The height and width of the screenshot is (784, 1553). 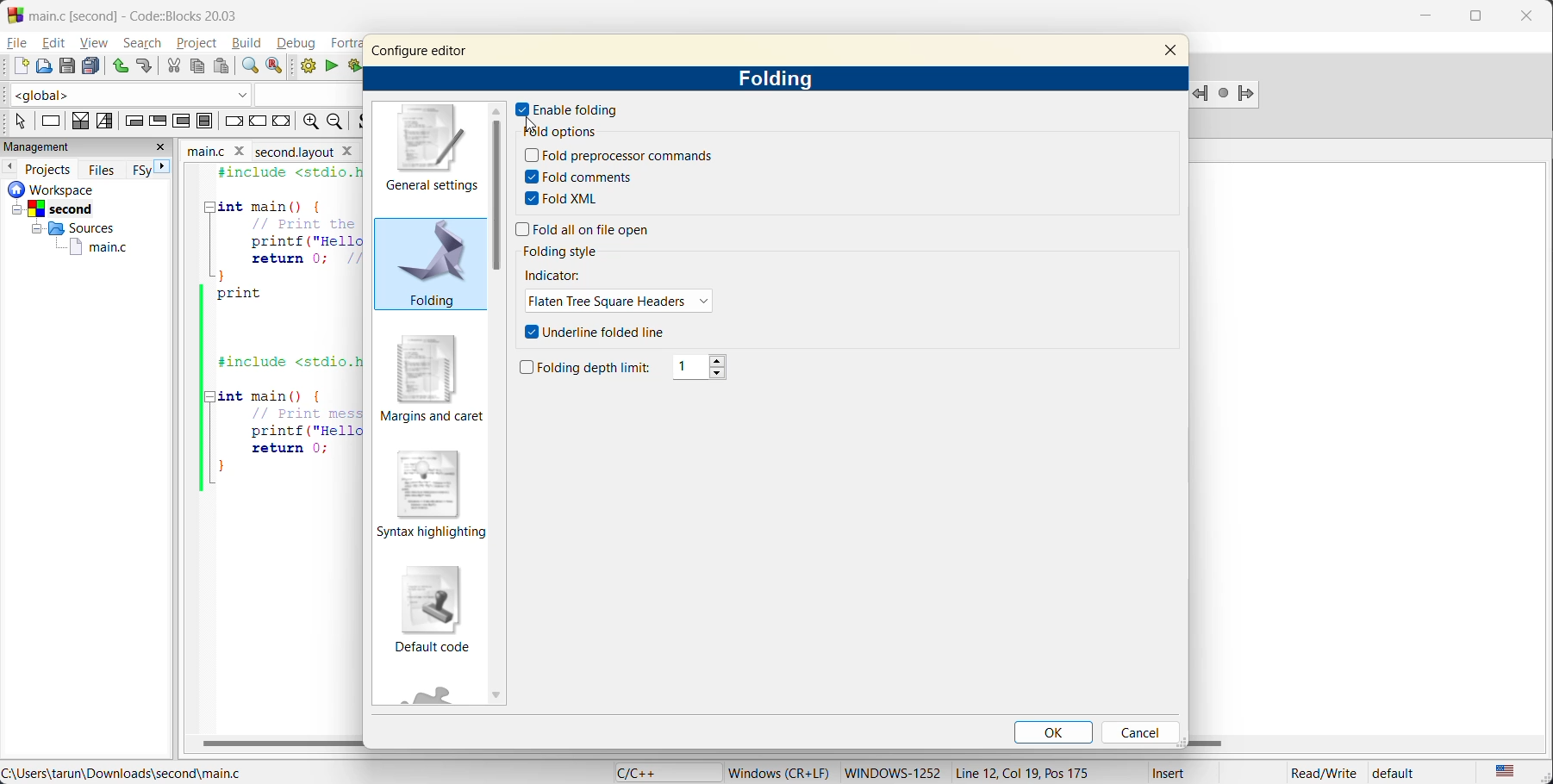 What do you see at coordinates (1222, 90) in the screenshot?
I see `last jump` at bounding box center [1222, 90].